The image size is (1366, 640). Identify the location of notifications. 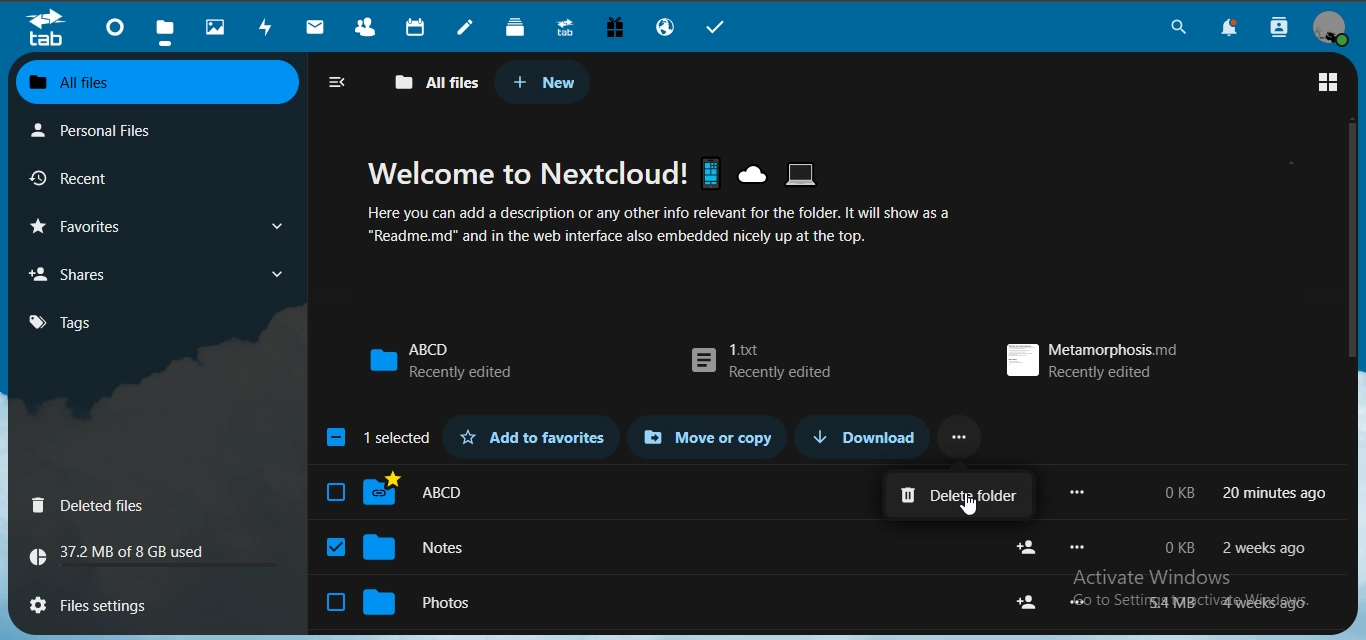
(1231, 29).